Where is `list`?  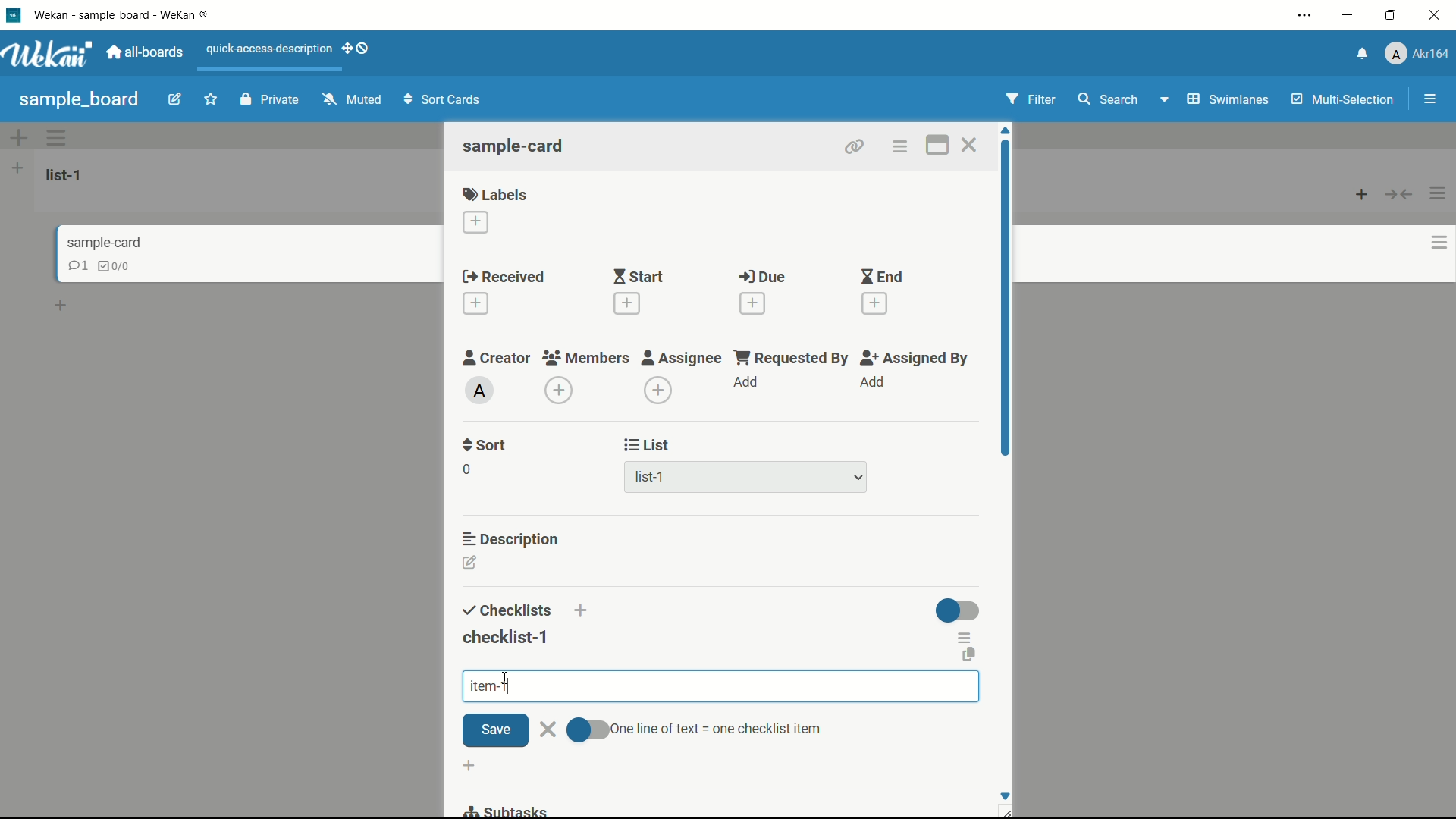 list is located at coordinates (649, 447).